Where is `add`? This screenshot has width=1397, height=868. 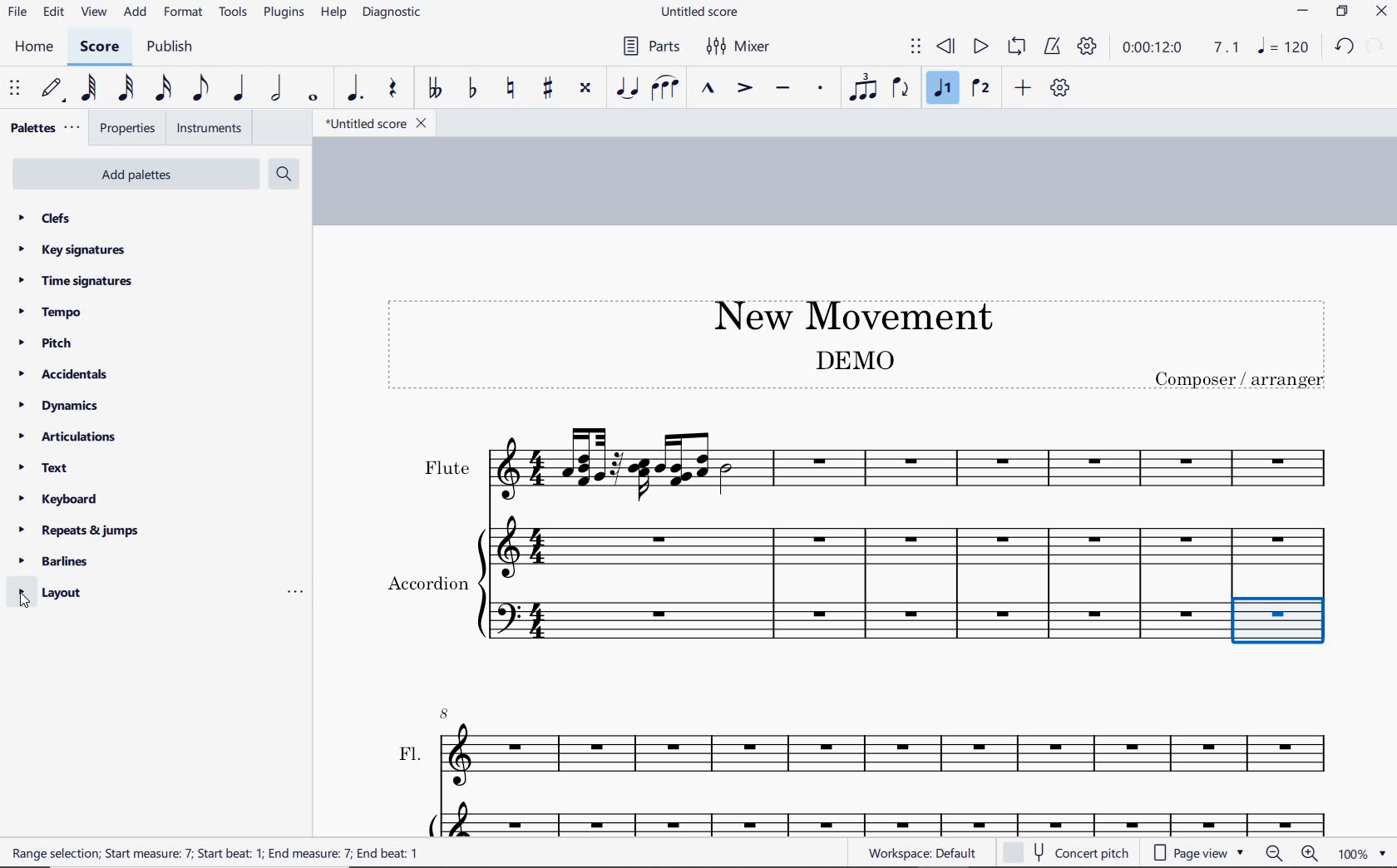
add is located at coordinates (1025, 87).